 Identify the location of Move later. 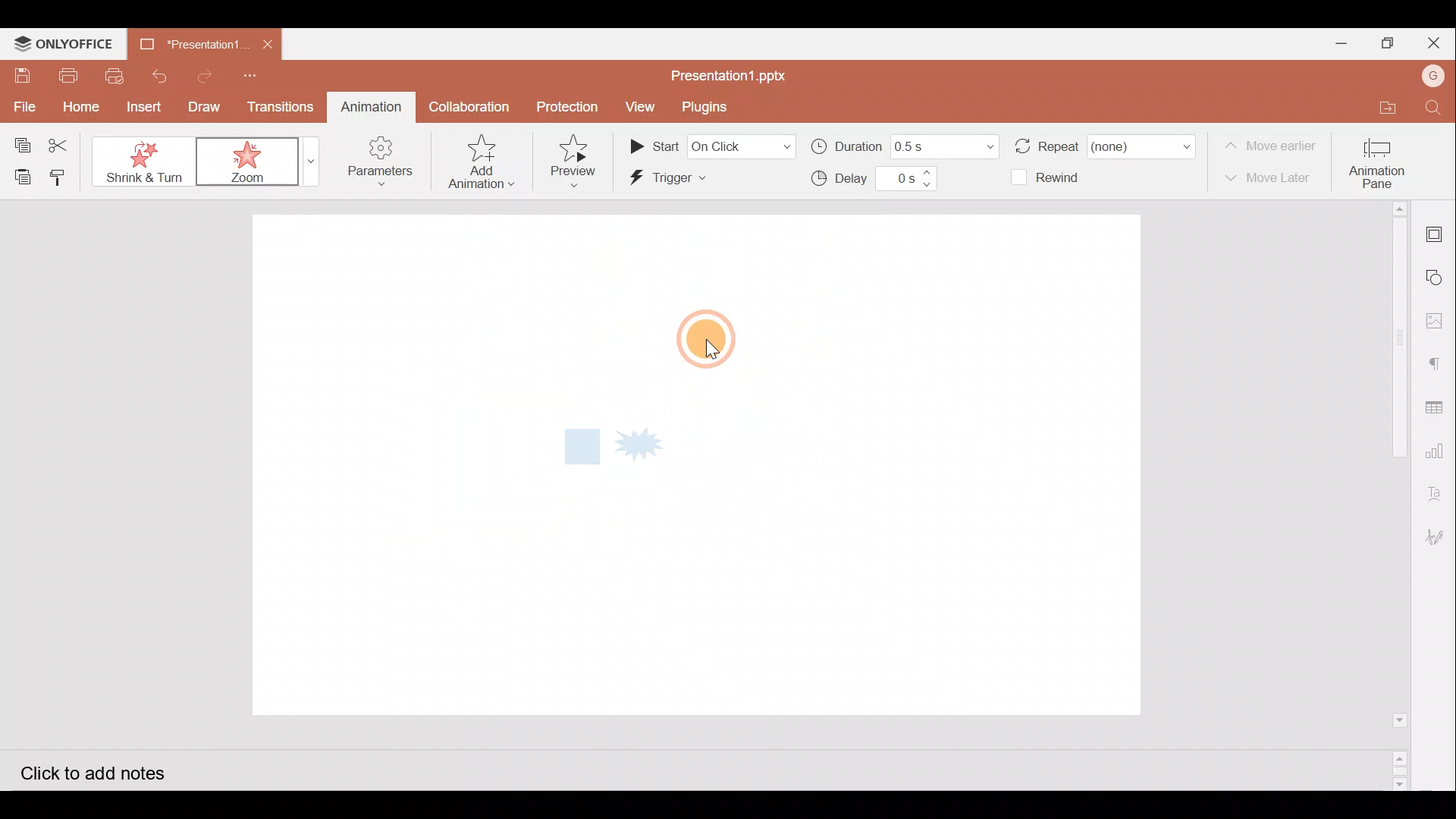
(1272, 178).